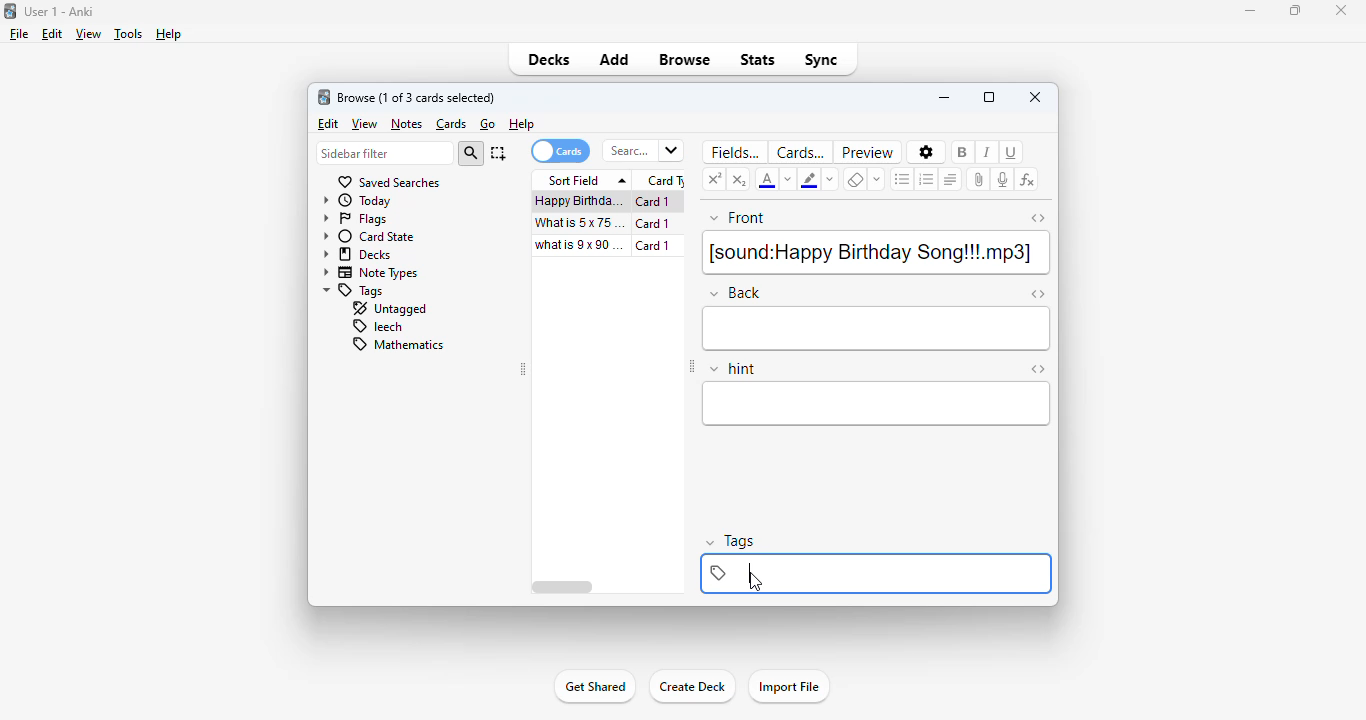 The height and width of the screenshot is (720, 1366). Describe the element at coordinates (524, 370) in the screenshot. I see `toggle sidebar` at that location.